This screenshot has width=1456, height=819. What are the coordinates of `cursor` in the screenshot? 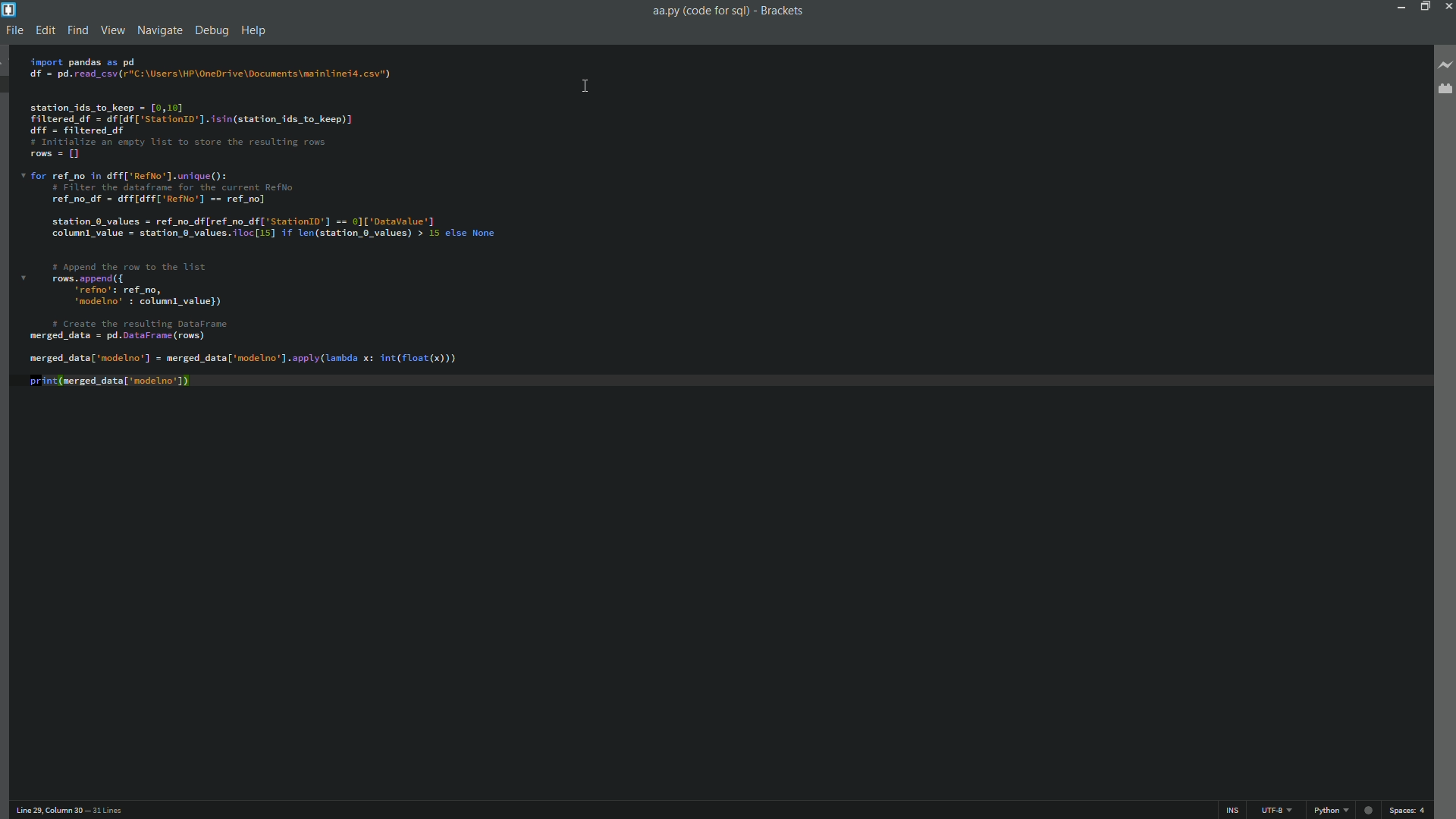 It's located at (585, 85).